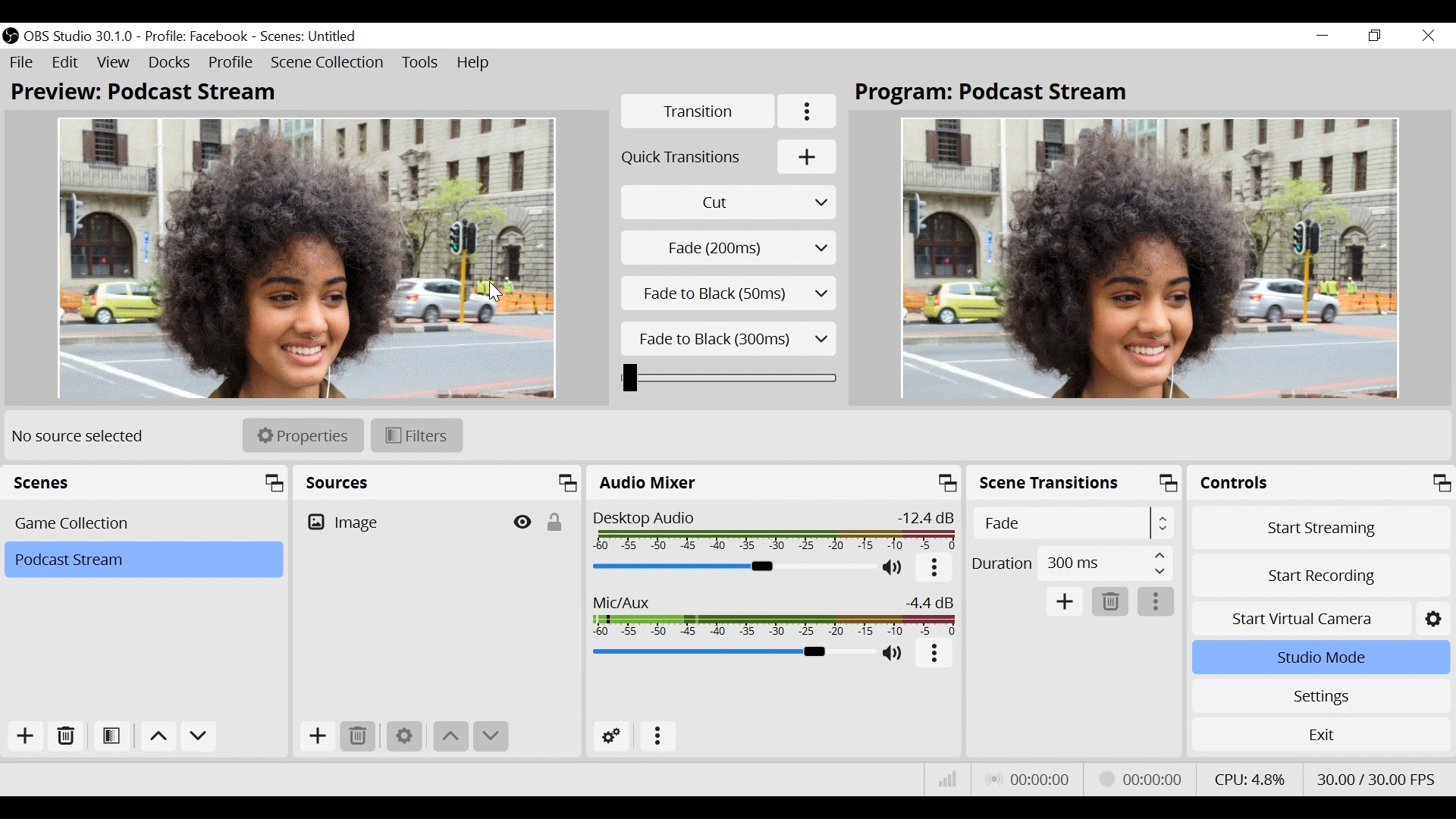 The width and height of the screenshot is (1456, 819). I want to click on Filters, so click(418, 436).